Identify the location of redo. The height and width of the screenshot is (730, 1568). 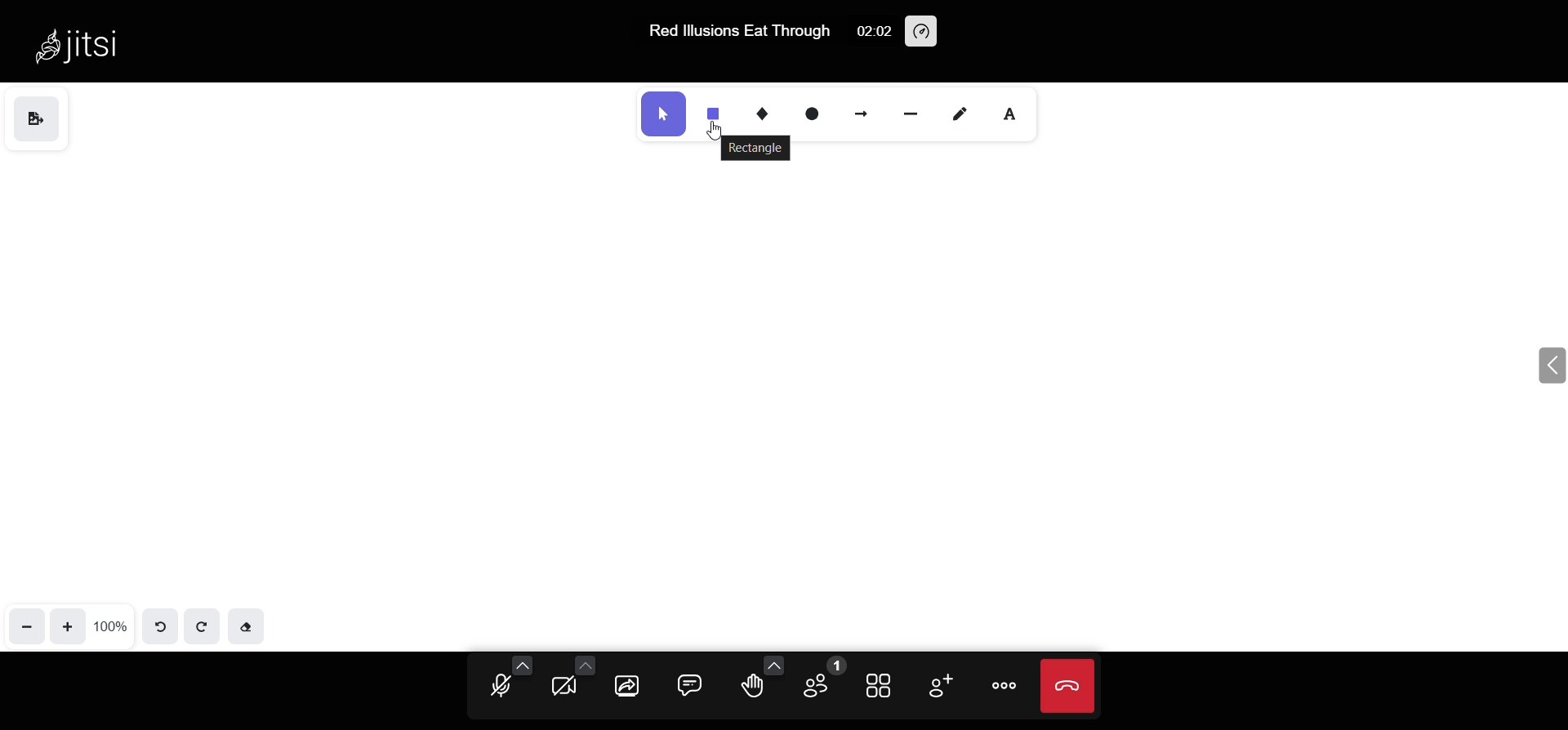
(203, 625).